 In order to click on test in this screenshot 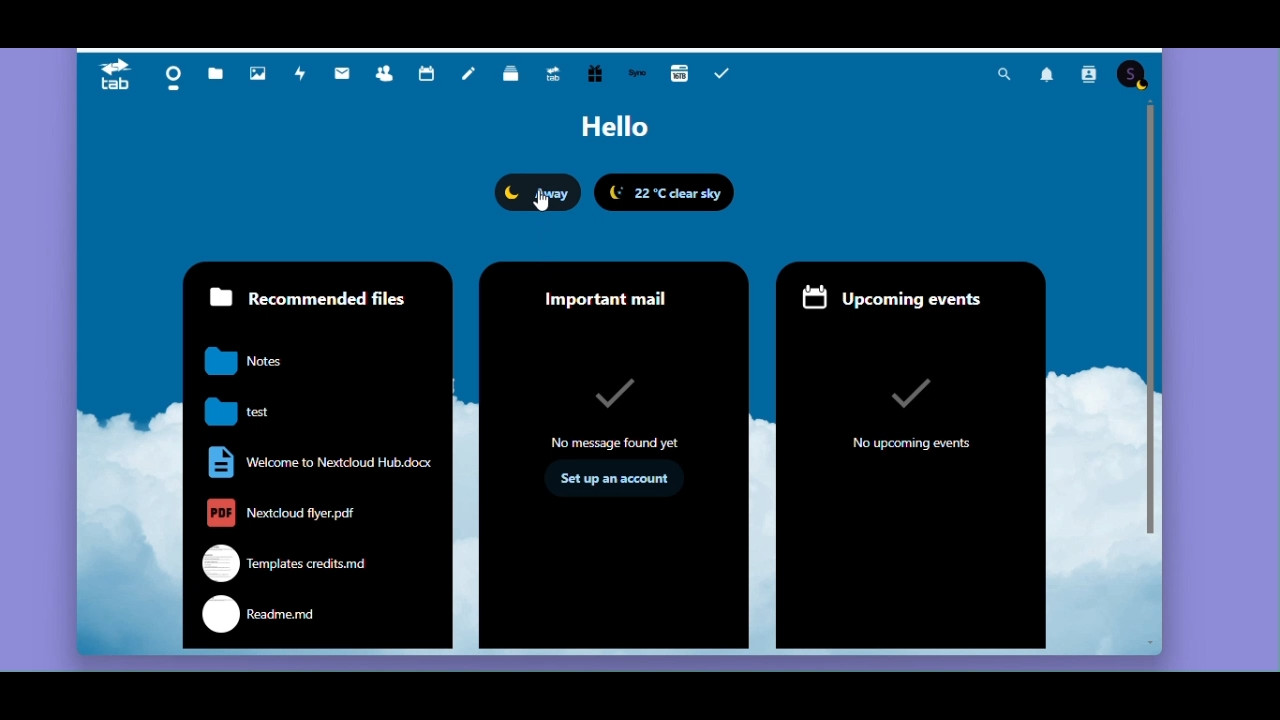, I will do `click(259, 409)`.